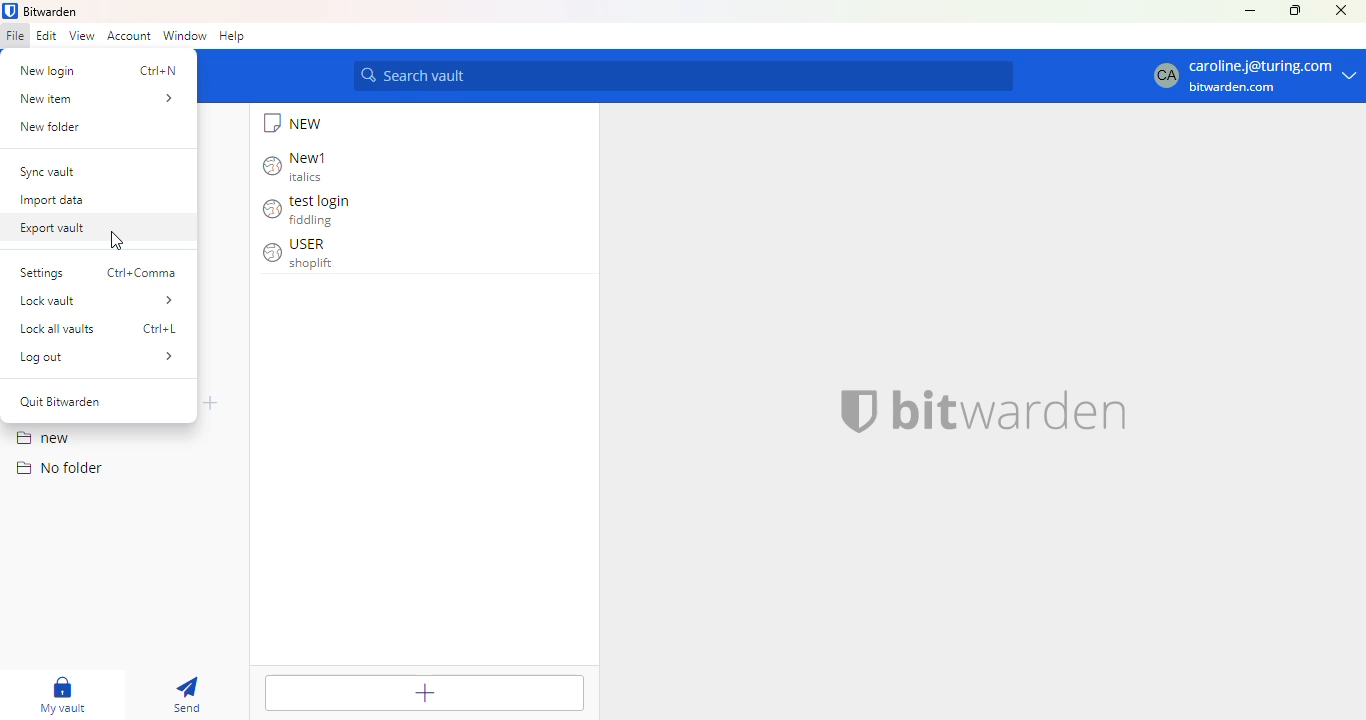  What do you see at coordinates (96, 329) in the screenshot?
I see `lock all vaults` at bounding box center [96, 329].